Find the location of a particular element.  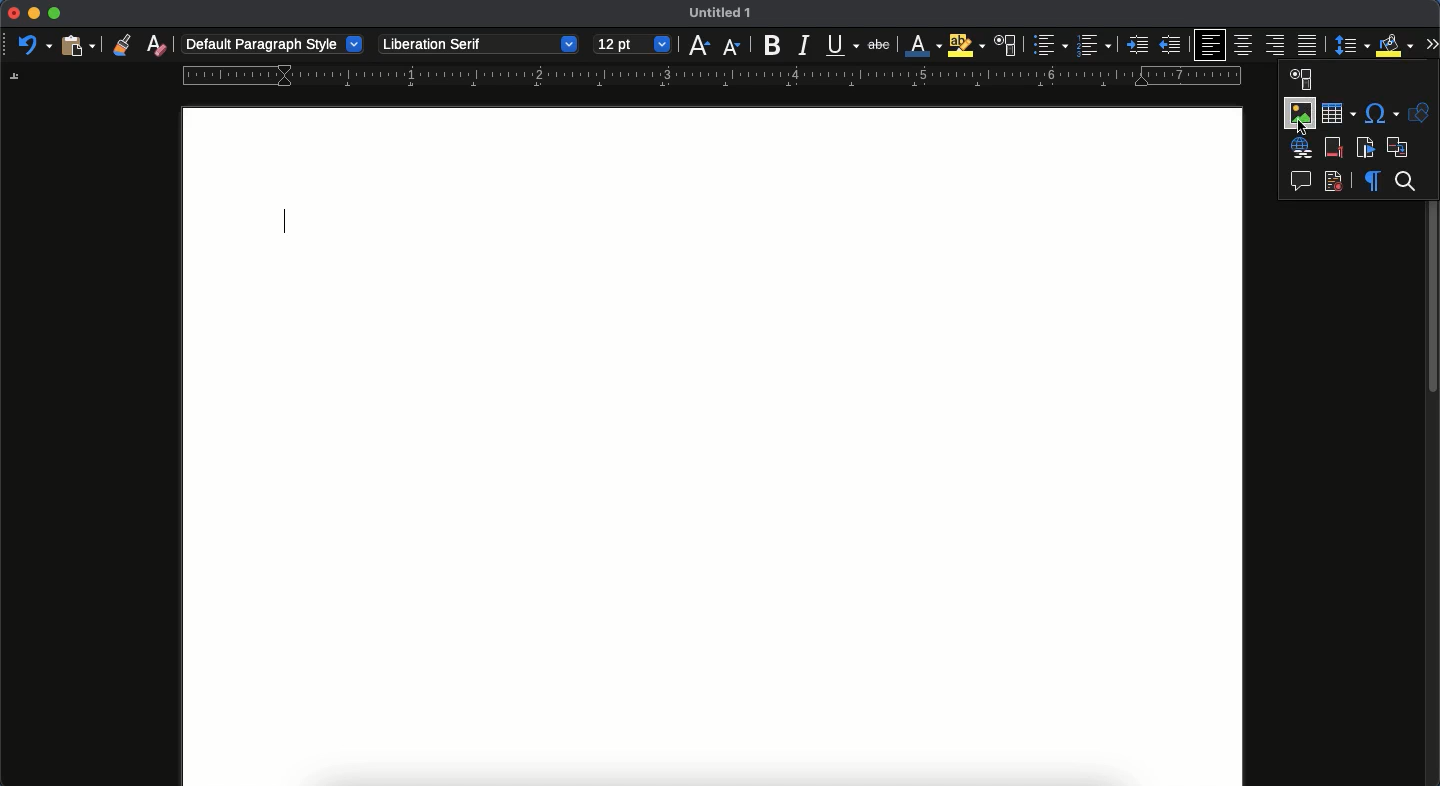

unindented is located at coordinates (1172, 45).